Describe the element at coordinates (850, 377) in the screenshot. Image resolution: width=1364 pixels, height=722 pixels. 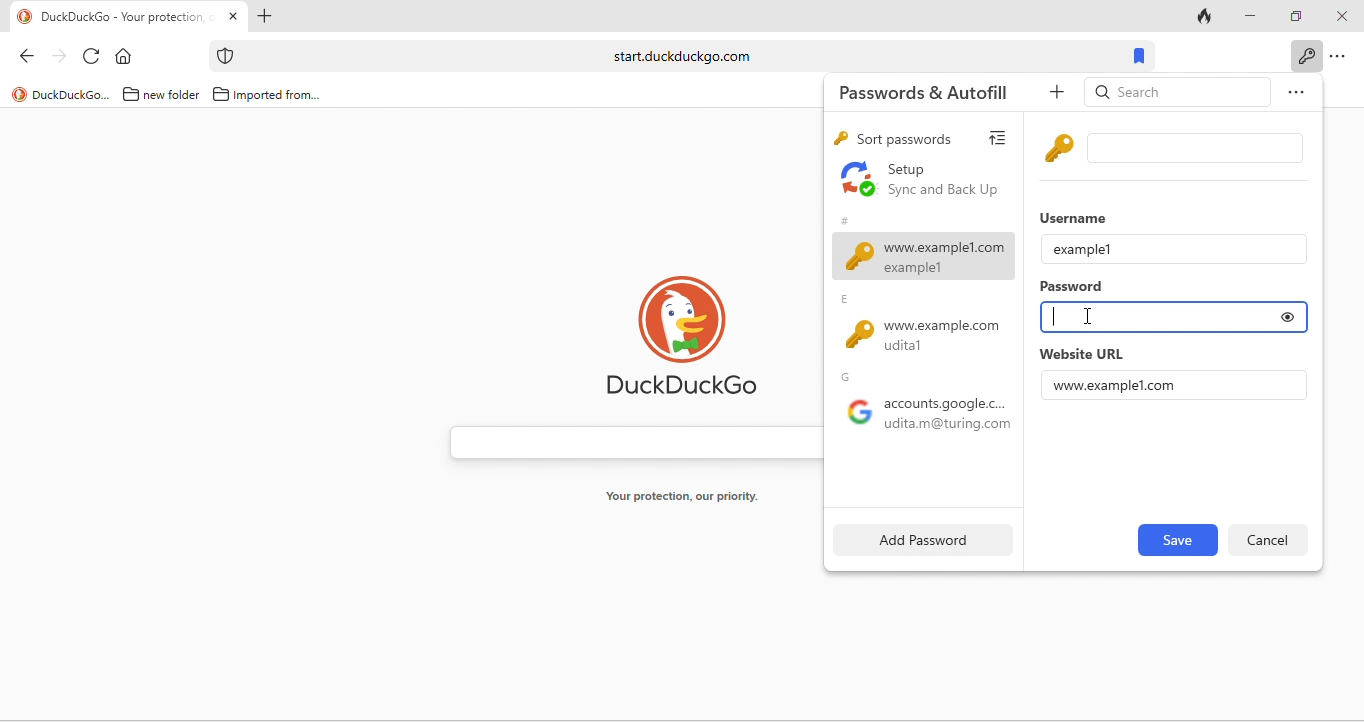
I see `g` at that location.